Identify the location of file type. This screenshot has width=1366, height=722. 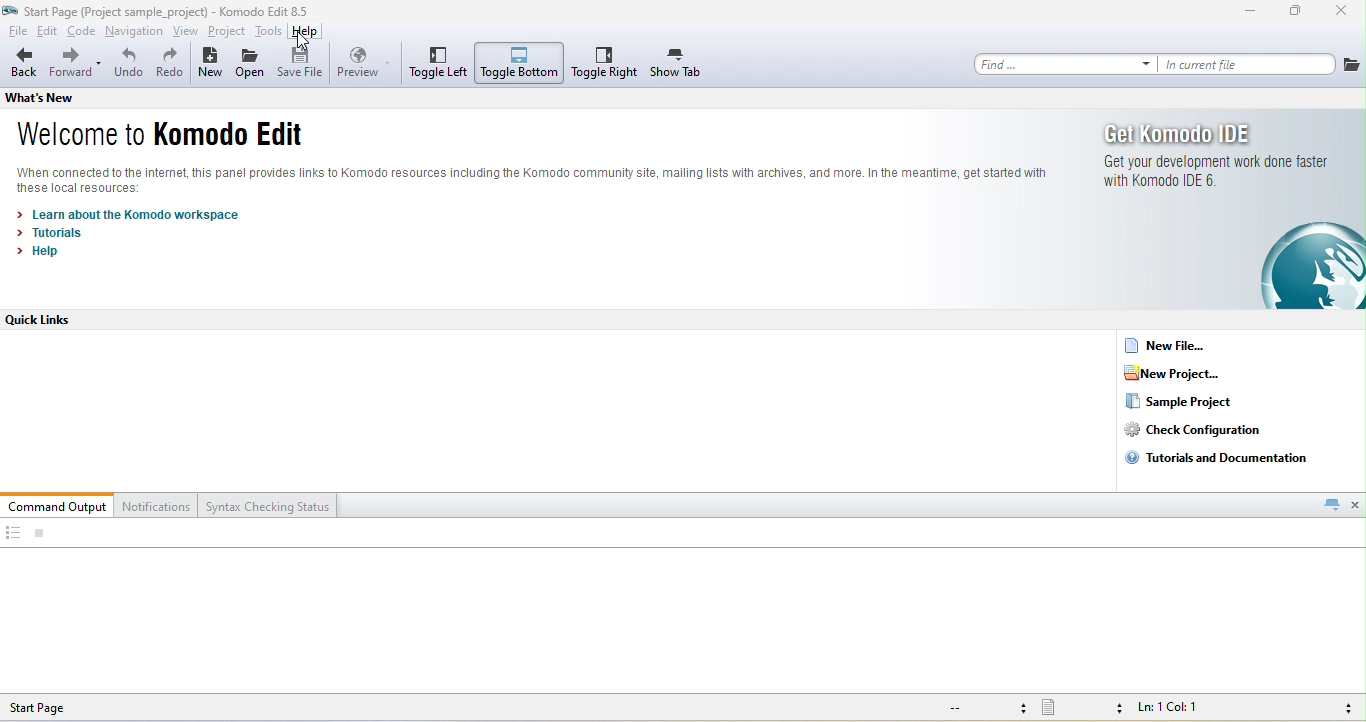
(1082, 709).